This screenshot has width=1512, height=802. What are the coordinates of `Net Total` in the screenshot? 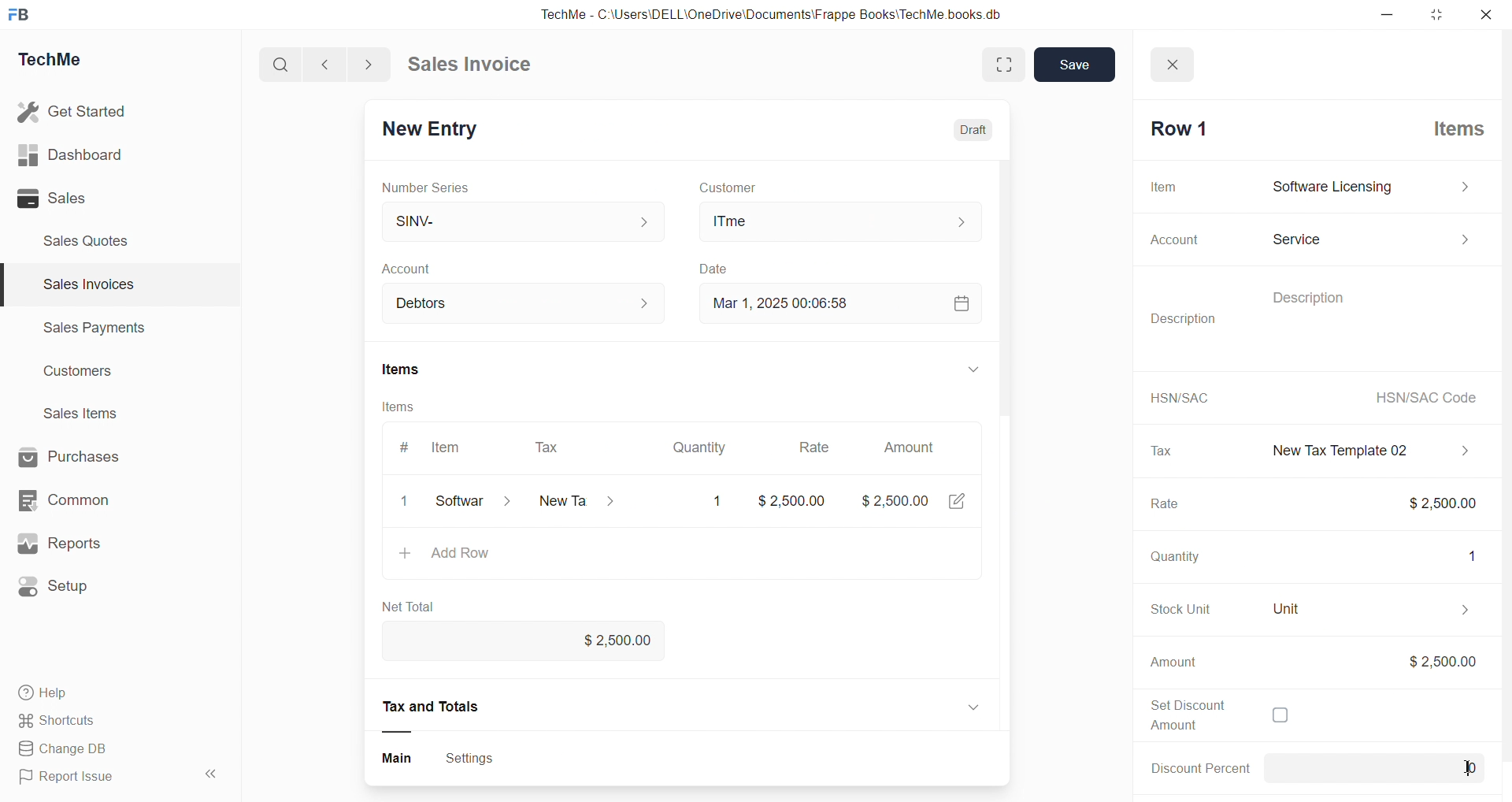 It's located at (413, 607).